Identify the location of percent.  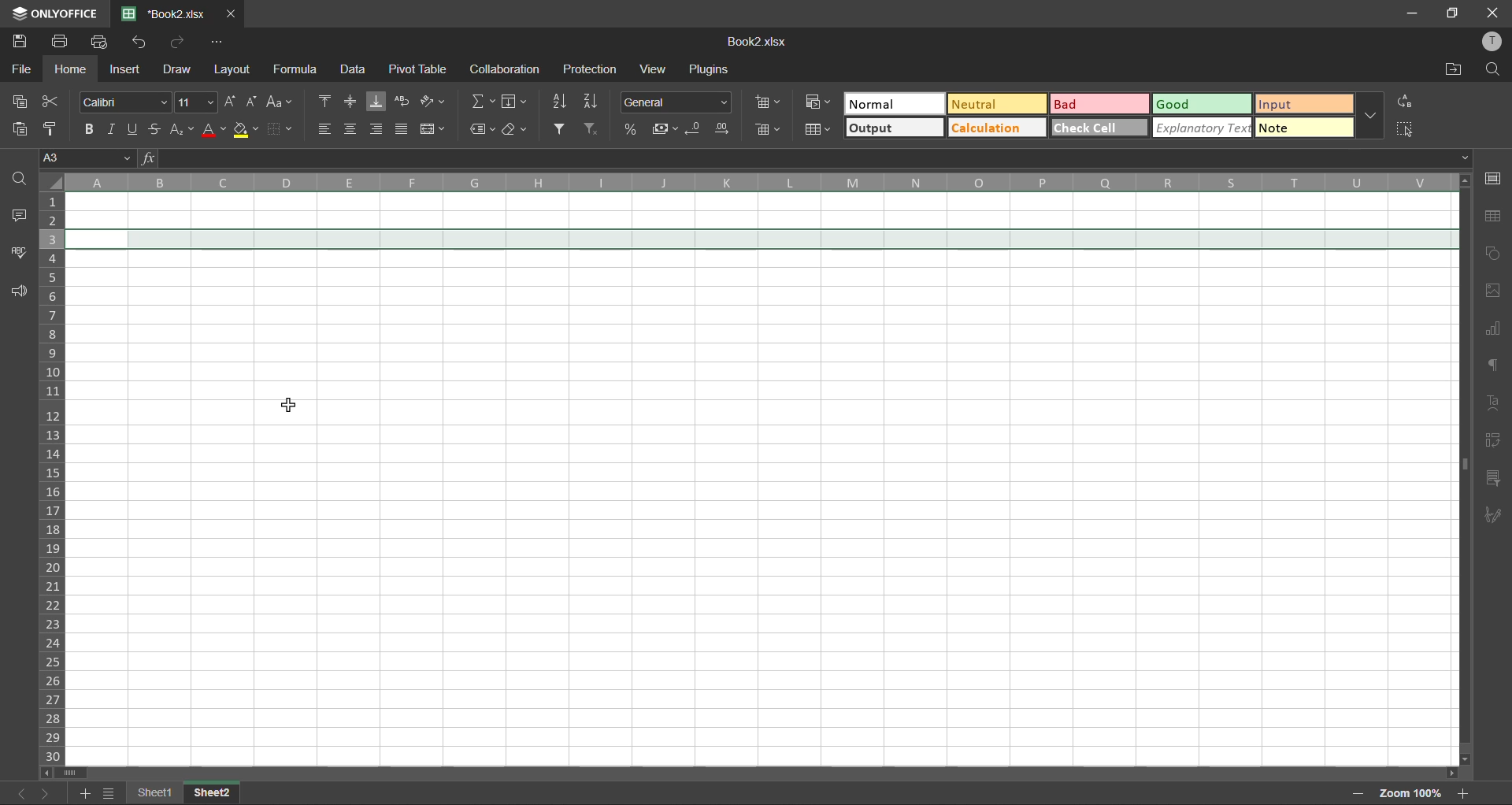
(632, 128).